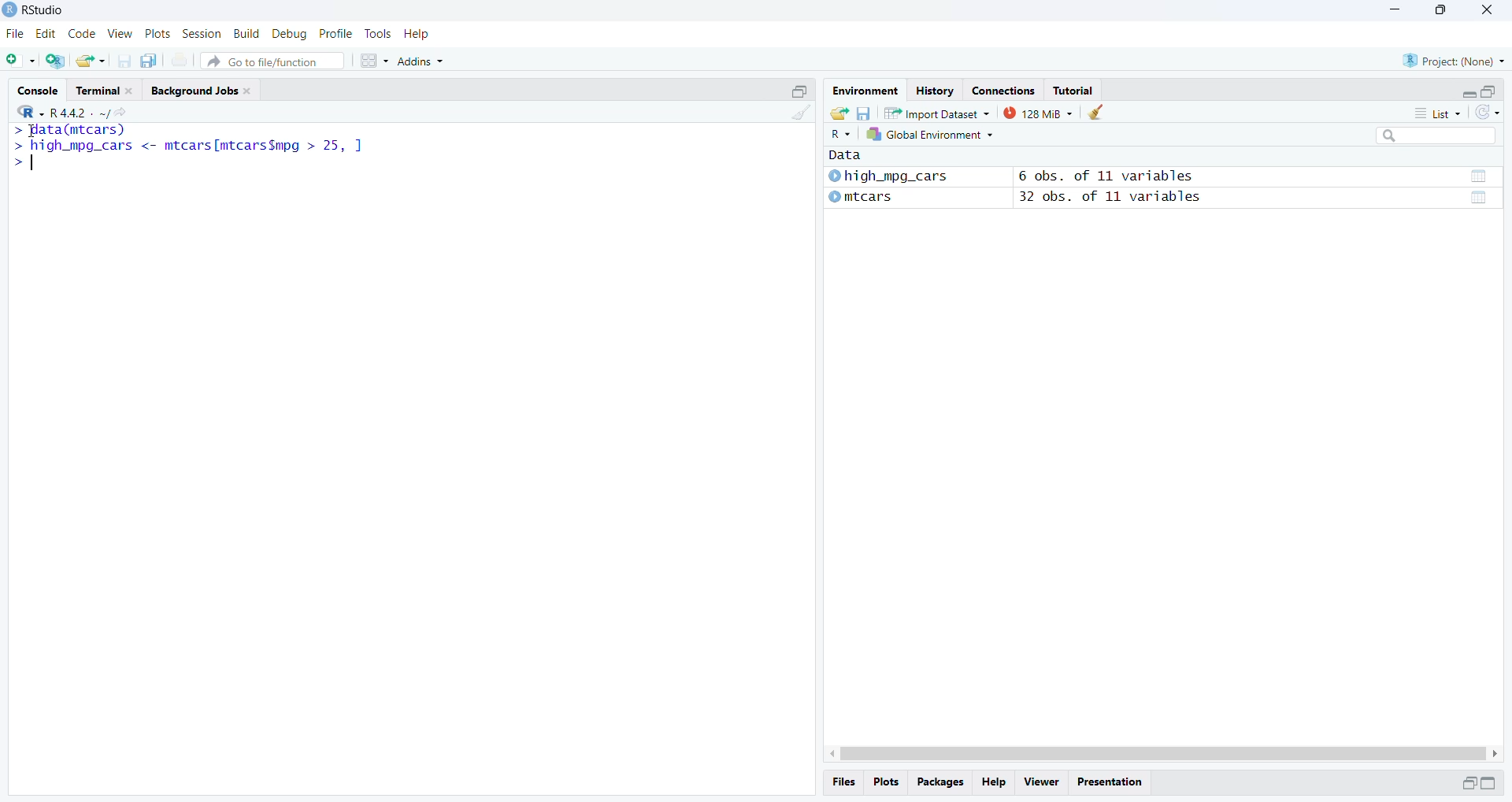  What do you see at coordinates (799, 90) in the screenshot?
I see `minimize` at bounding box center [799, 90].